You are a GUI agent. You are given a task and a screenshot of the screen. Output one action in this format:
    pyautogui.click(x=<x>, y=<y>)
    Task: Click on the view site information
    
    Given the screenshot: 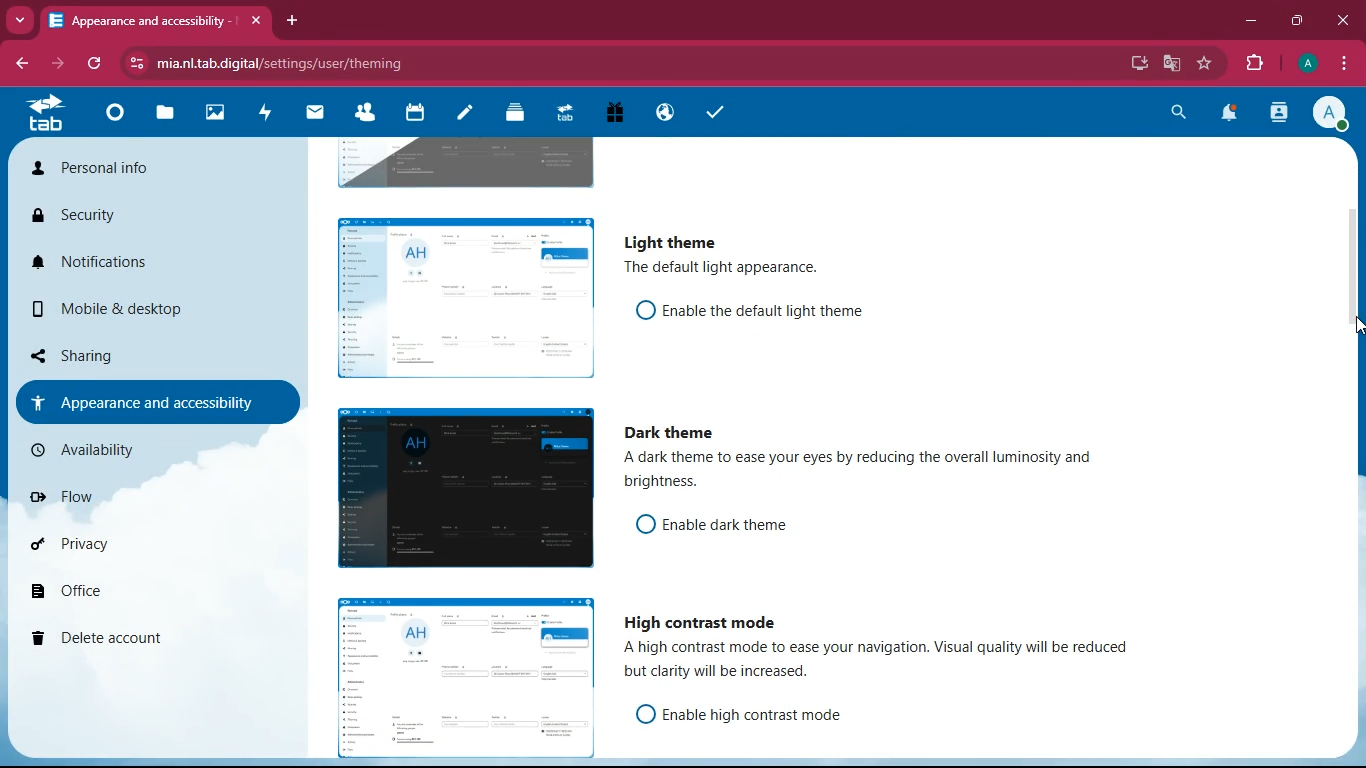 What is the action you would take?
    pyautogui.click(x=134, y=64)
    